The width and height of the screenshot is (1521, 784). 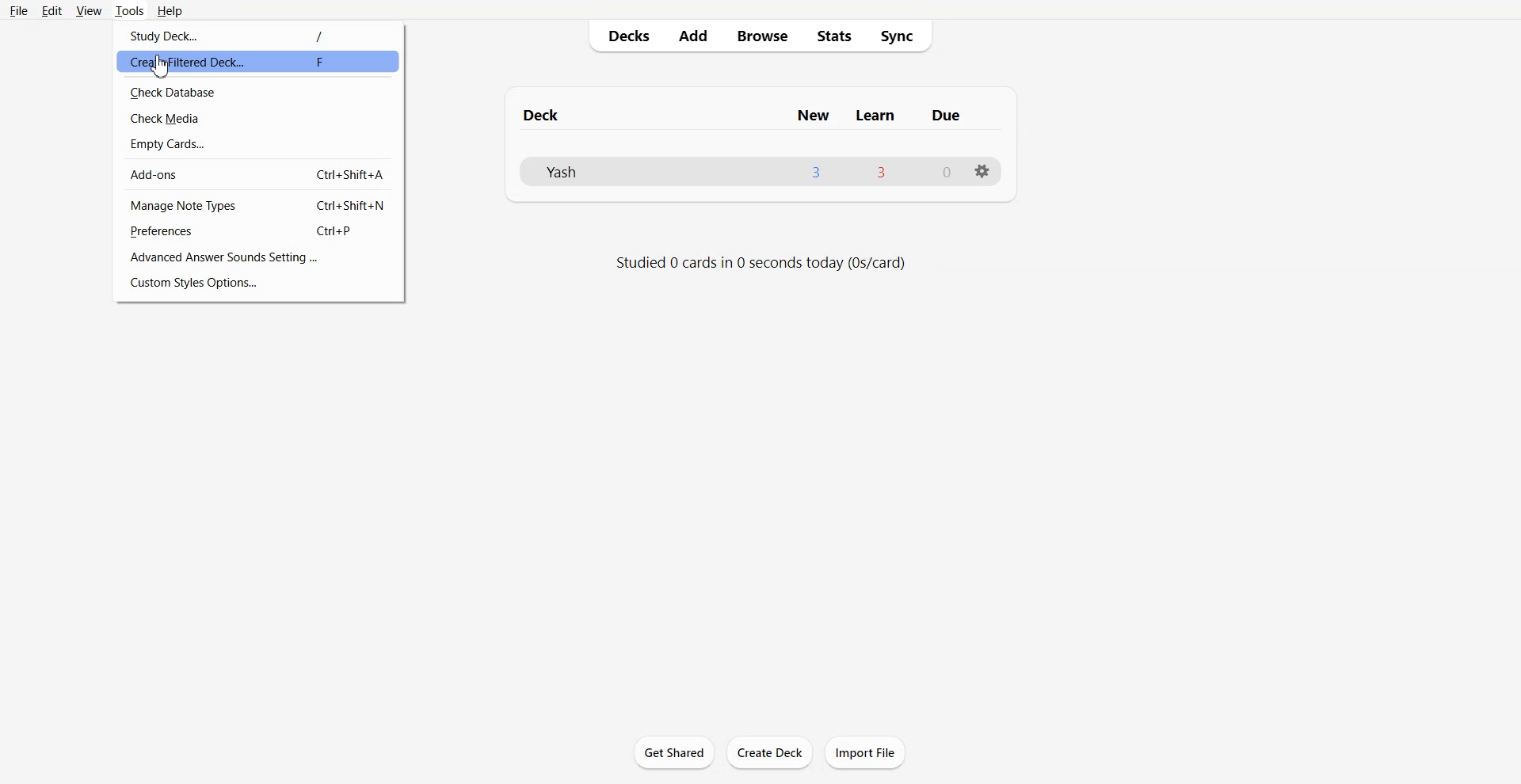 What do you see at coordinates (769, 752) in the screenshot?
I see `Create Deck` at bounding box center [769, 752].